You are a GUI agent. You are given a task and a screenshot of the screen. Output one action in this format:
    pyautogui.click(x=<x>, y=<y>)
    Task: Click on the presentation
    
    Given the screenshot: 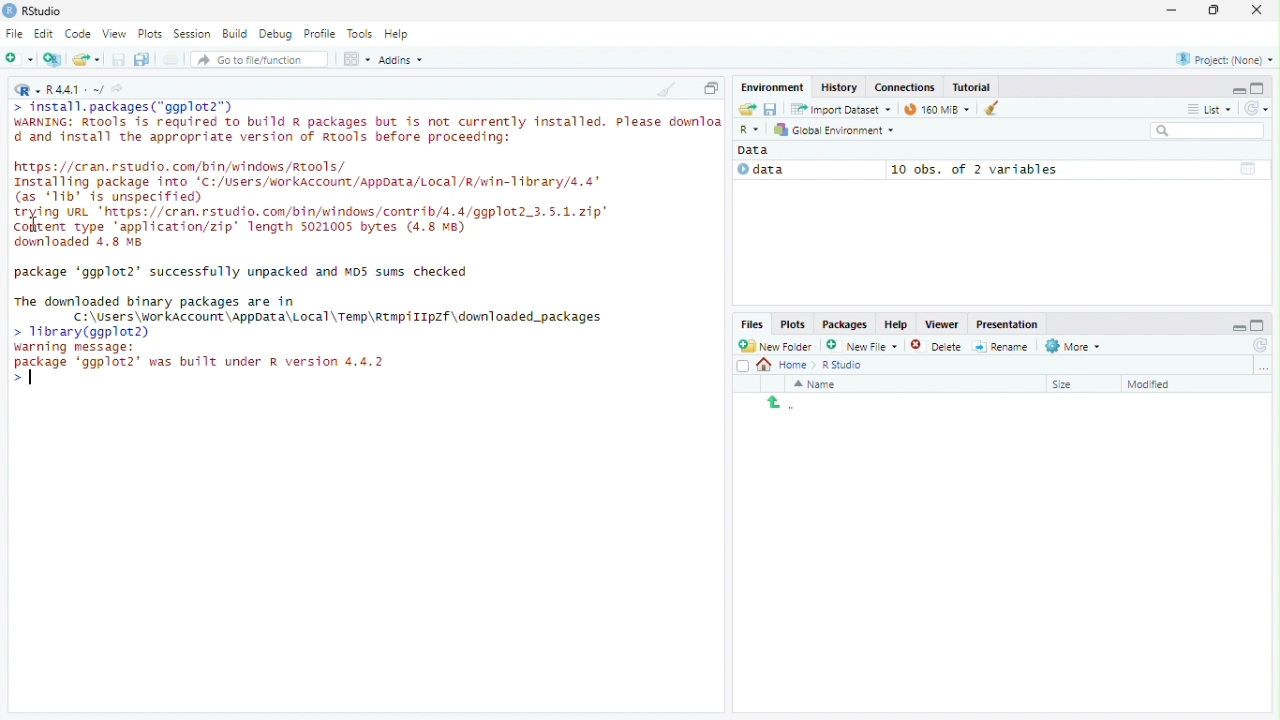 What is the action you would take?
    pyautogui.click(x=1010, y=324)
    